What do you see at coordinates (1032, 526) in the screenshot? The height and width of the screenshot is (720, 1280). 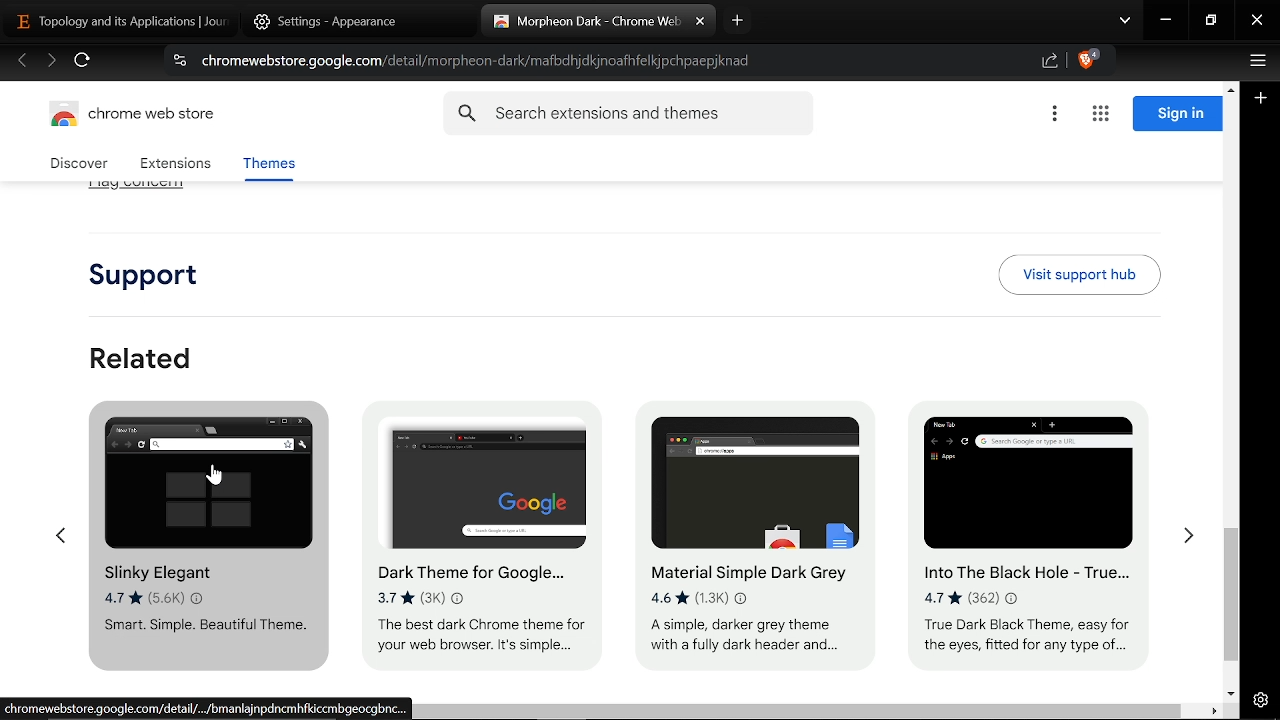 I see `Into the Black Hole theme` at bounding box center [1032, 526].